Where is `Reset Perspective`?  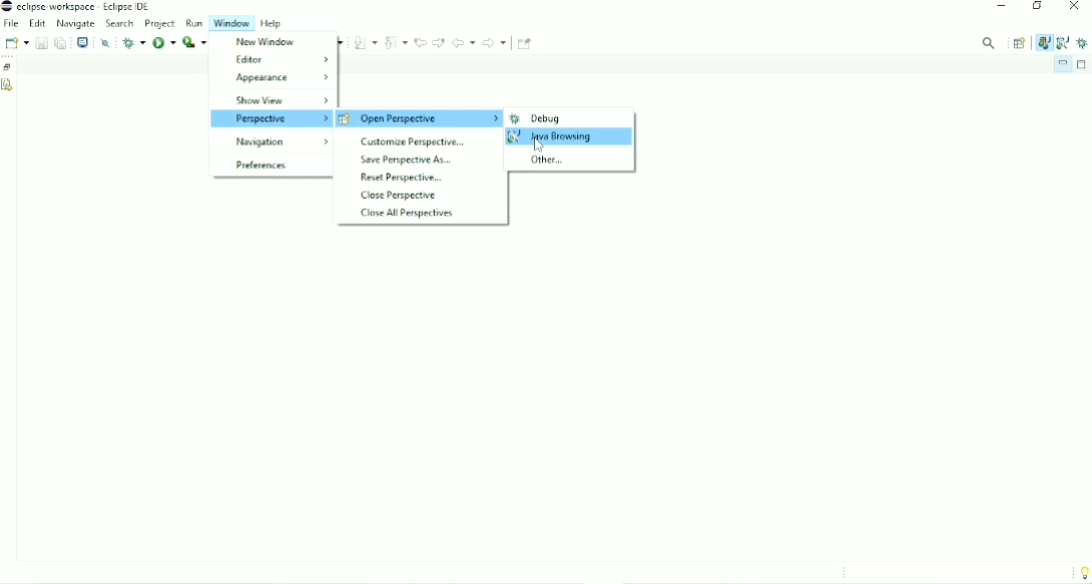 Reset Perspective is located at coordinates (399, 178).